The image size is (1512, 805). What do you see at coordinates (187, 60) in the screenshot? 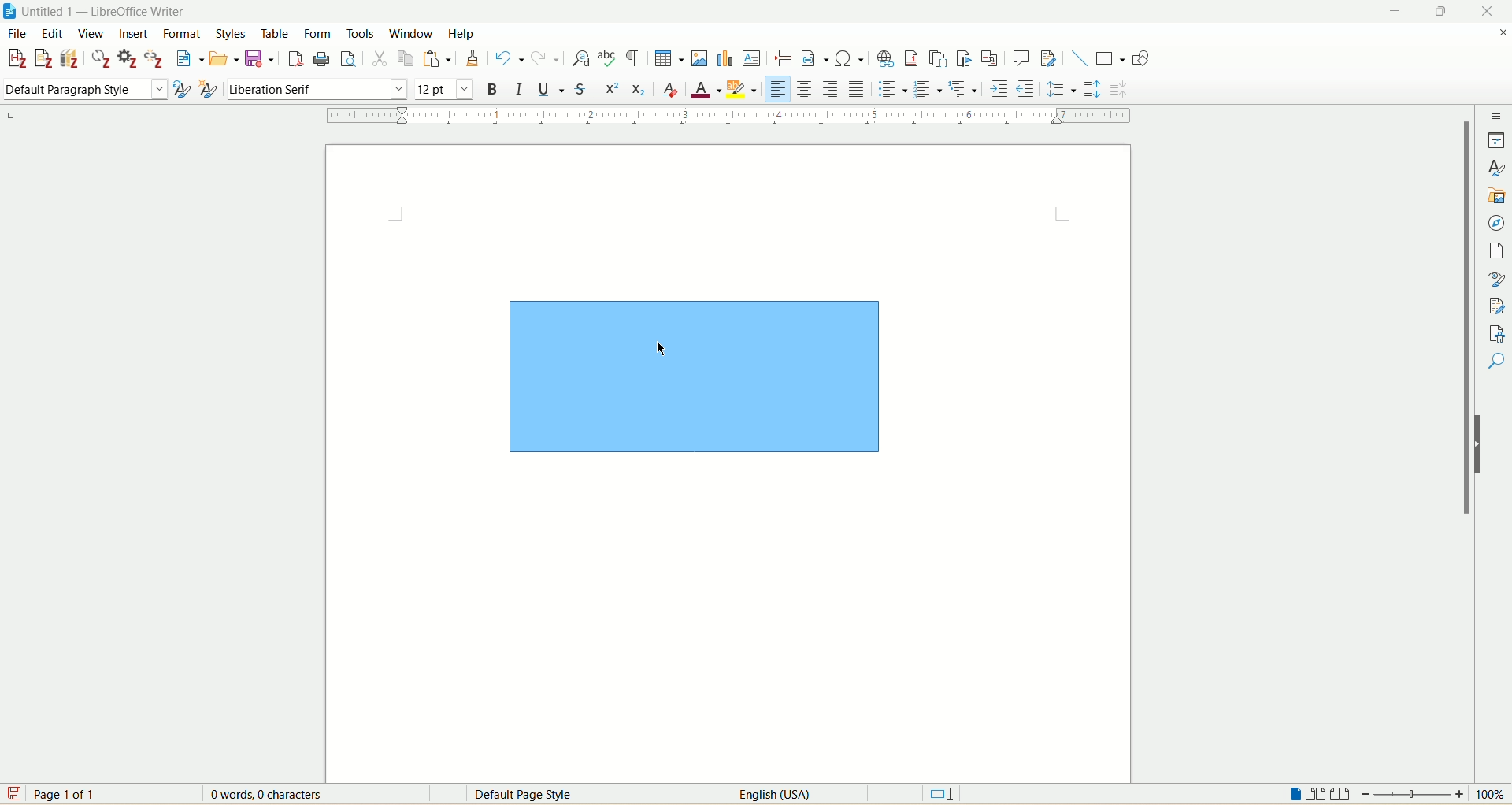
I see `new` at bounding box center [187, 60].